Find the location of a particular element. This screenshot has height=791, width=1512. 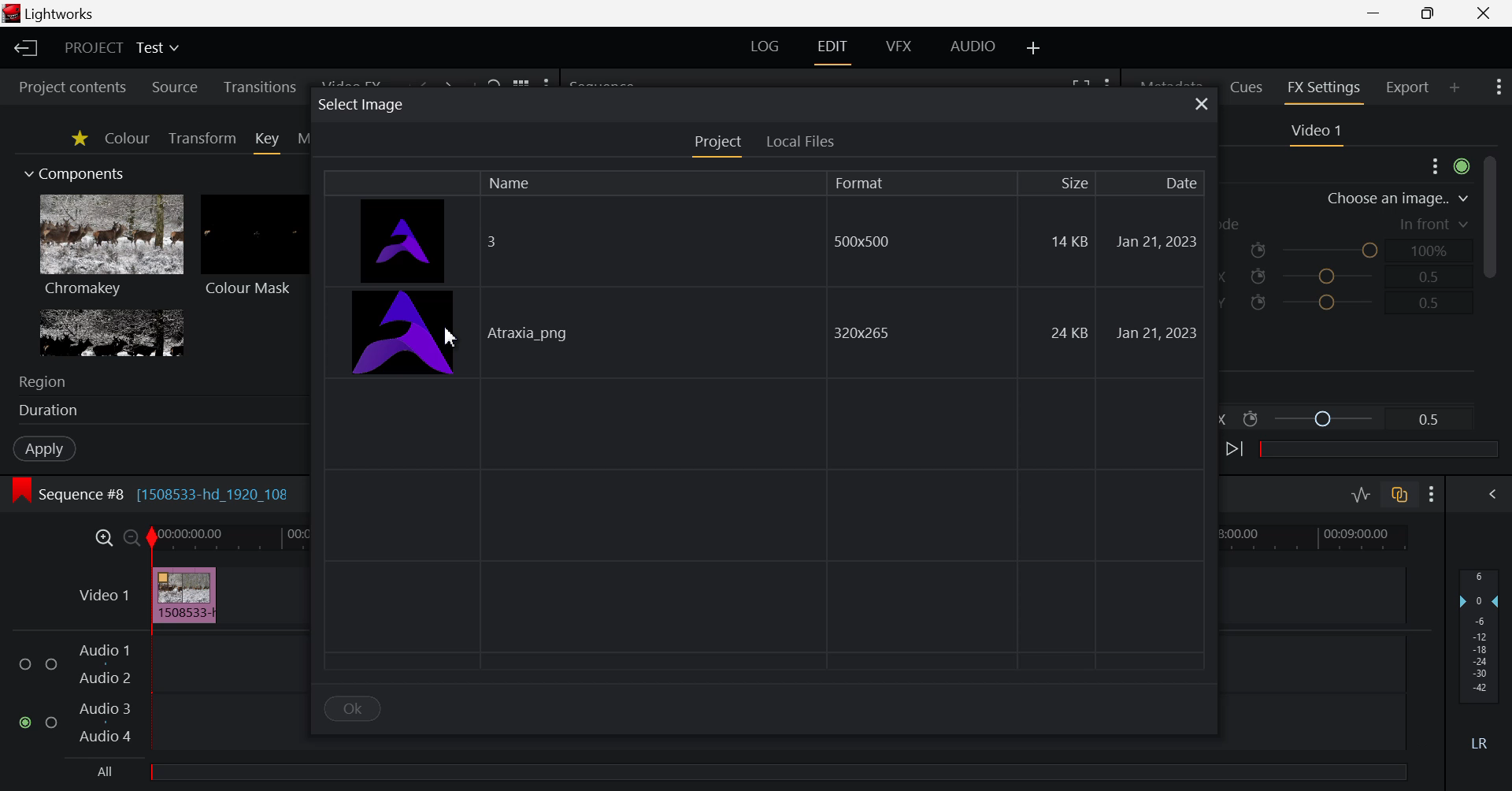

Video Settings is located at coordinates (1319, 134).